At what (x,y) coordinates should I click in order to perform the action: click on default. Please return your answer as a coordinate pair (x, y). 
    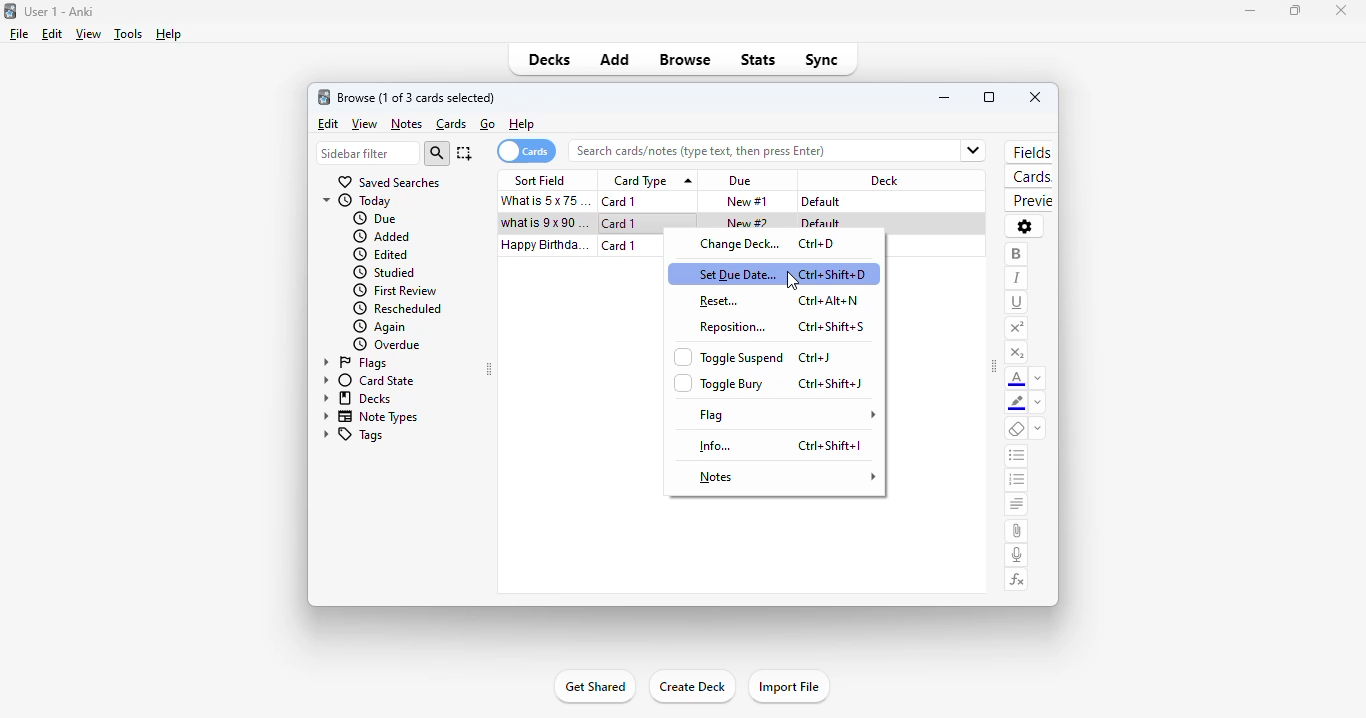
    Looking at the image, I should click on (821, 202).